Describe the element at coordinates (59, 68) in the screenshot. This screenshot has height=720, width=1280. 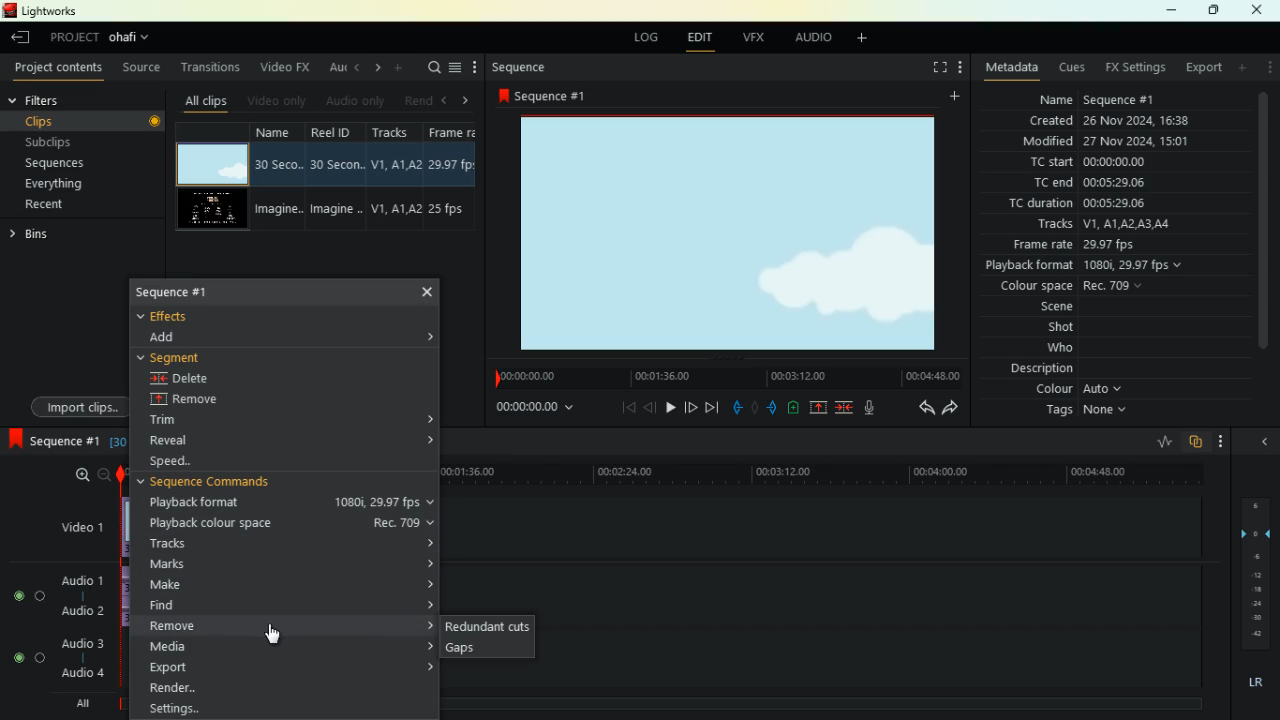
I see `project contents` at that location.